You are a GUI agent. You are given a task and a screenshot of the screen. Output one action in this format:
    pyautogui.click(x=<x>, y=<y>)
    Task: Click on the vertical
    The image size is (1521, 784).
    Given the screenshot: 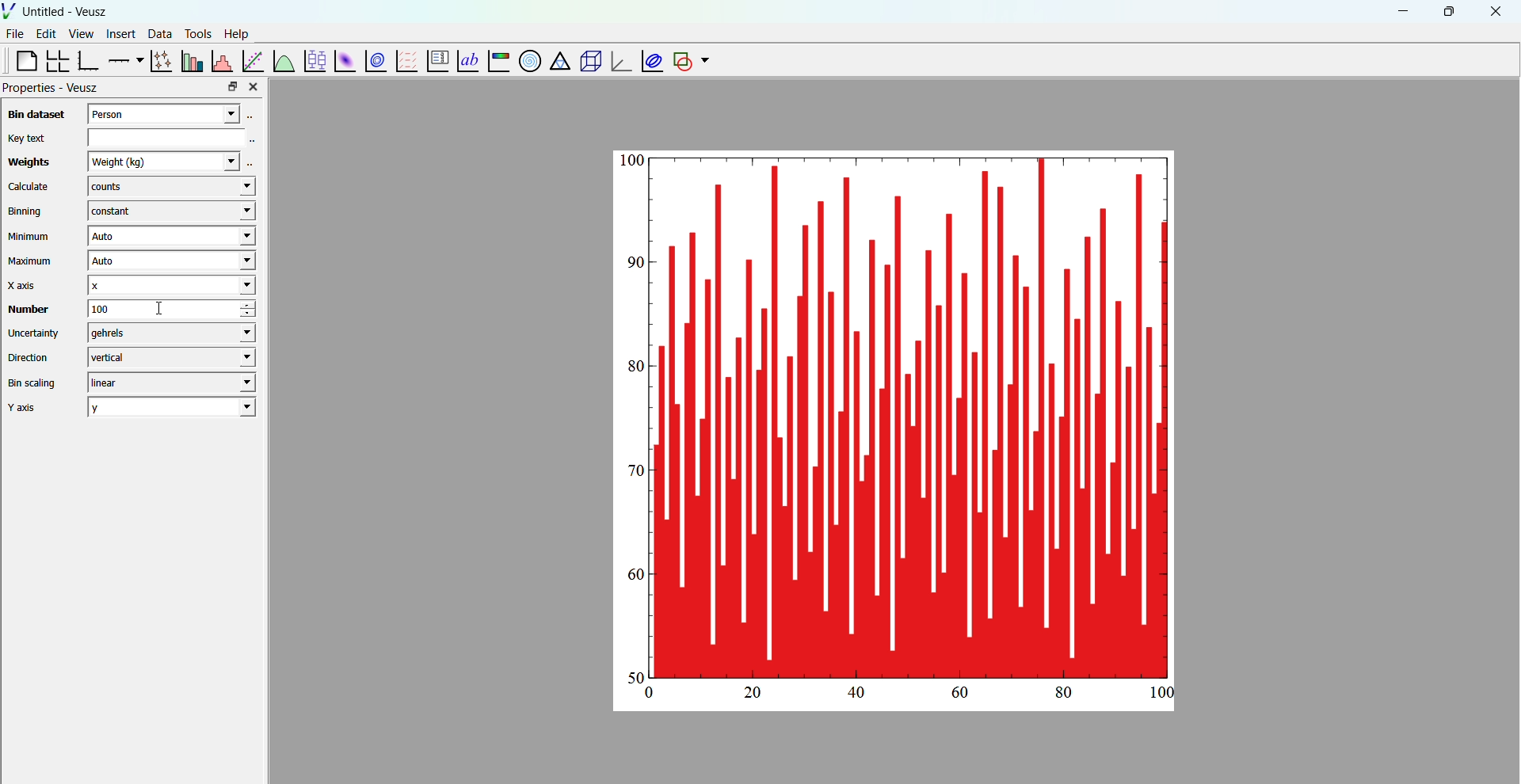 What is the action you would take?
    pyautogui.click(x=170, y=356)
    